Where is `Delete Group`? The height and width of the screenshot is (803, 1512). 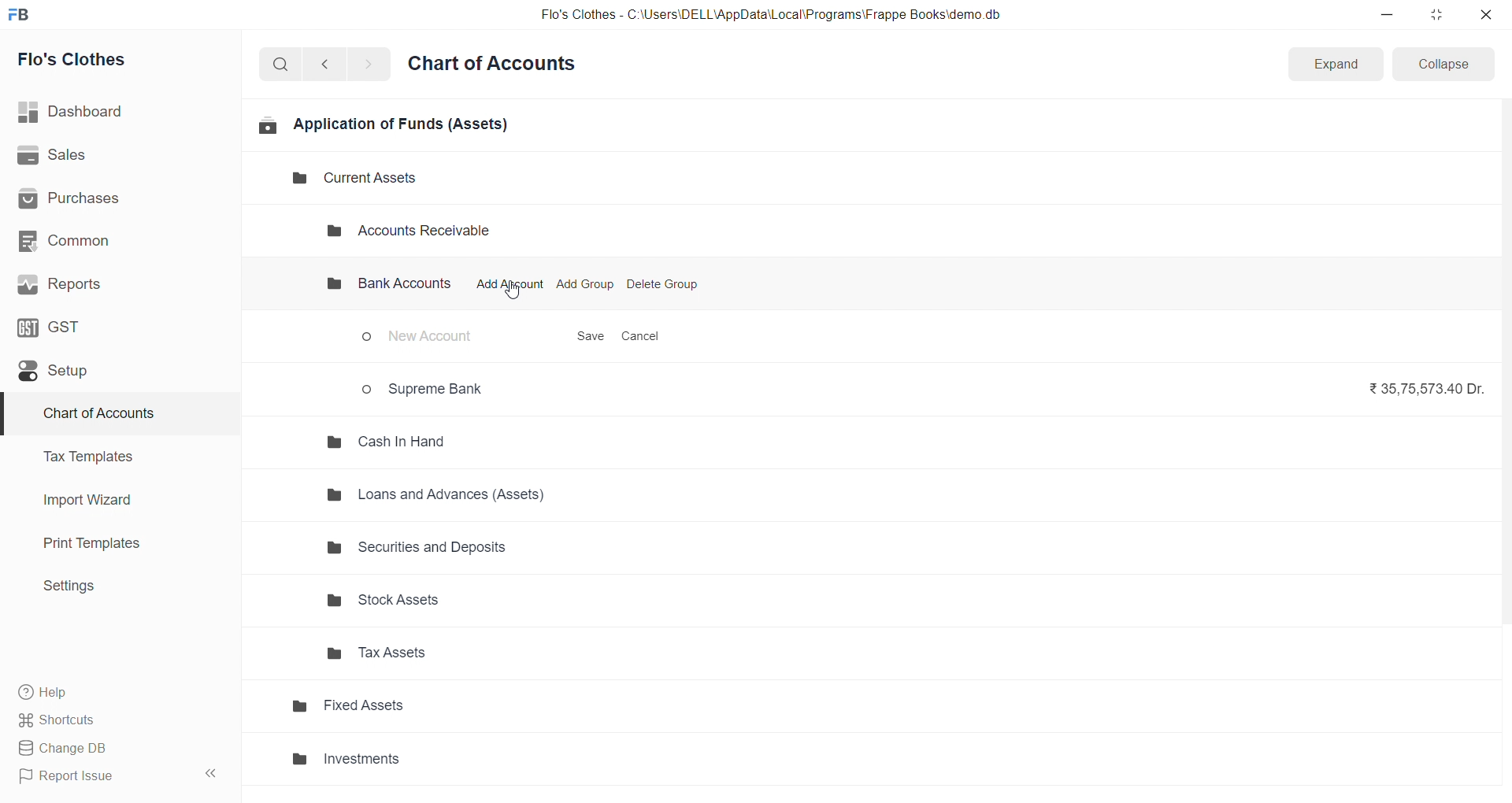
Delete Group is located at coordinates (663, 284).